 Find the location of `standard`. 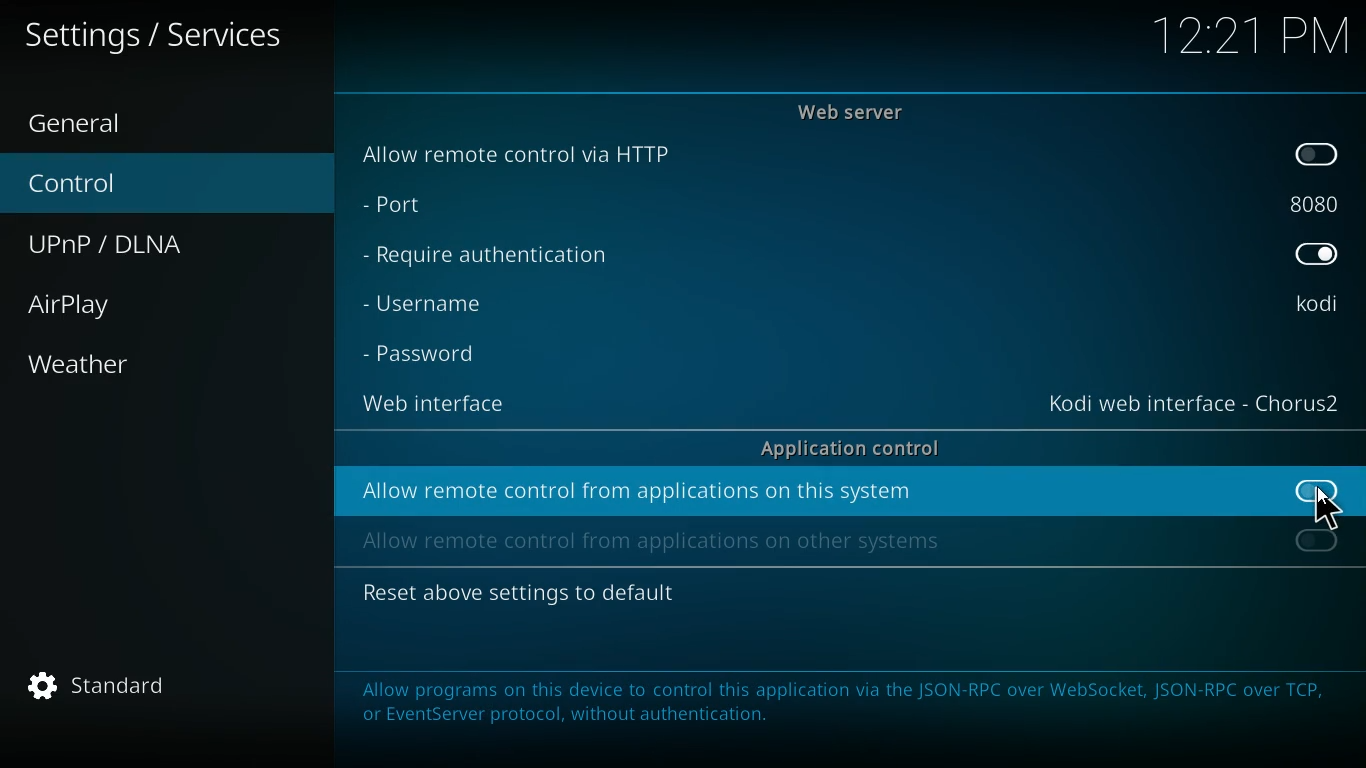

standard is located at coordinates (122, 691).